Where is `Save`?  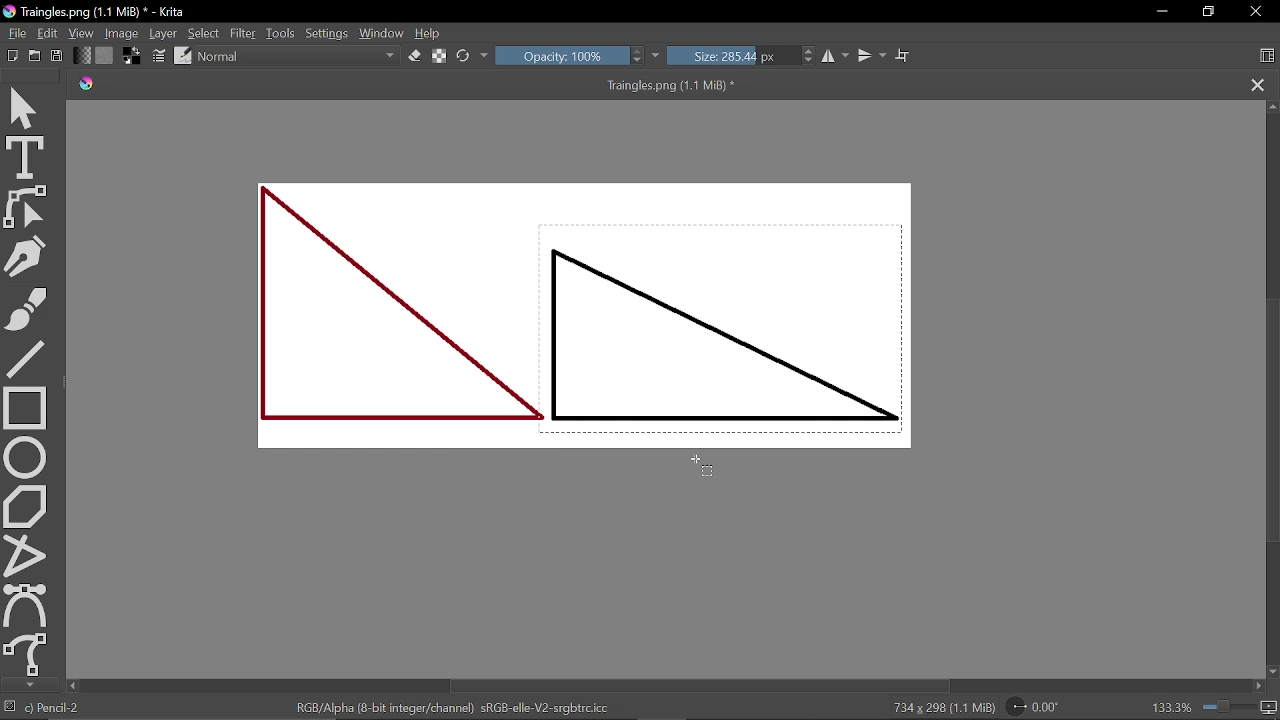 Save is located at coordinates (58, 56).